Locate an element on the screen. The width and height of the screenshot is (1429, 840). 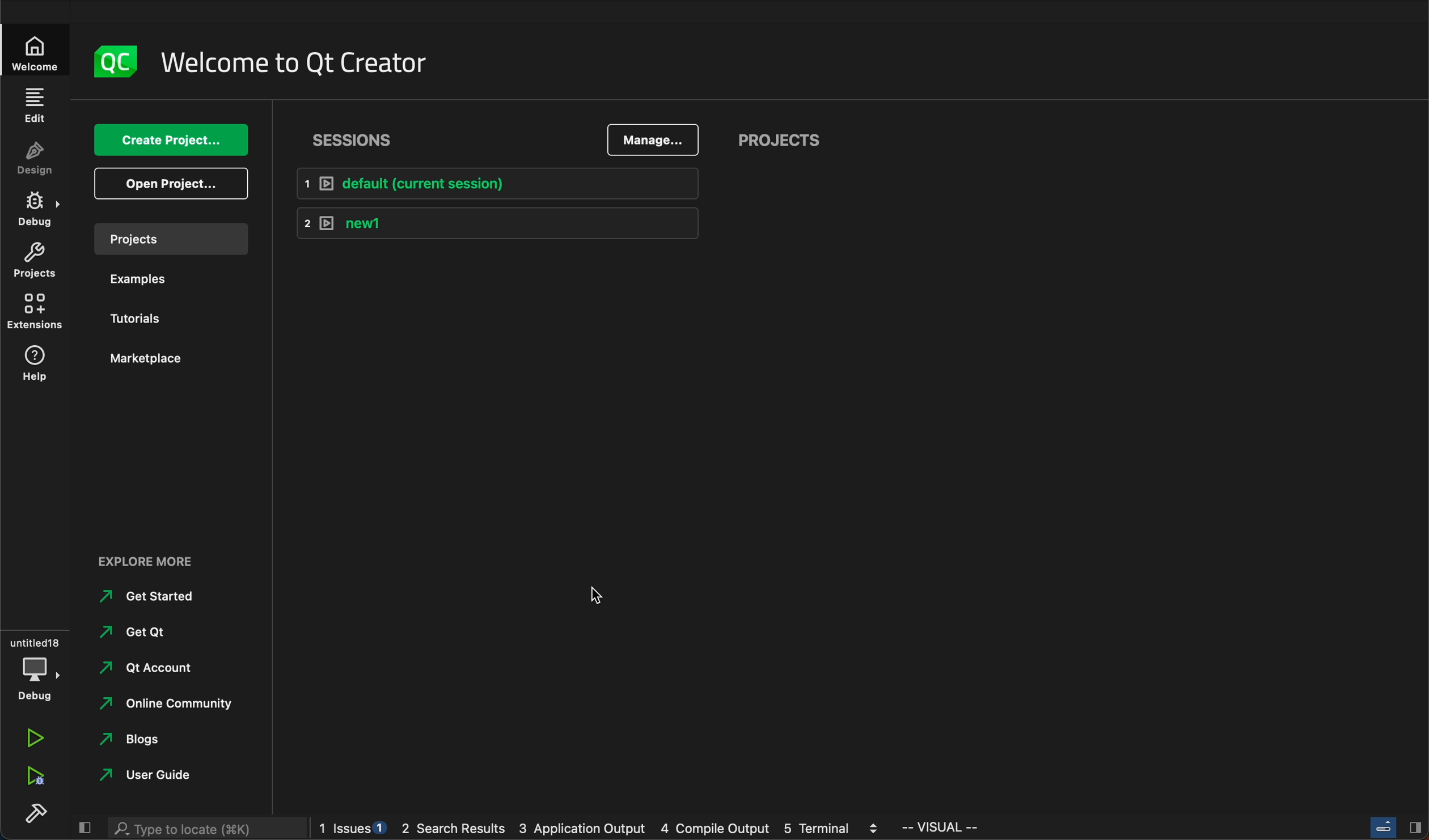
debug is located at coordinates (38, 211).